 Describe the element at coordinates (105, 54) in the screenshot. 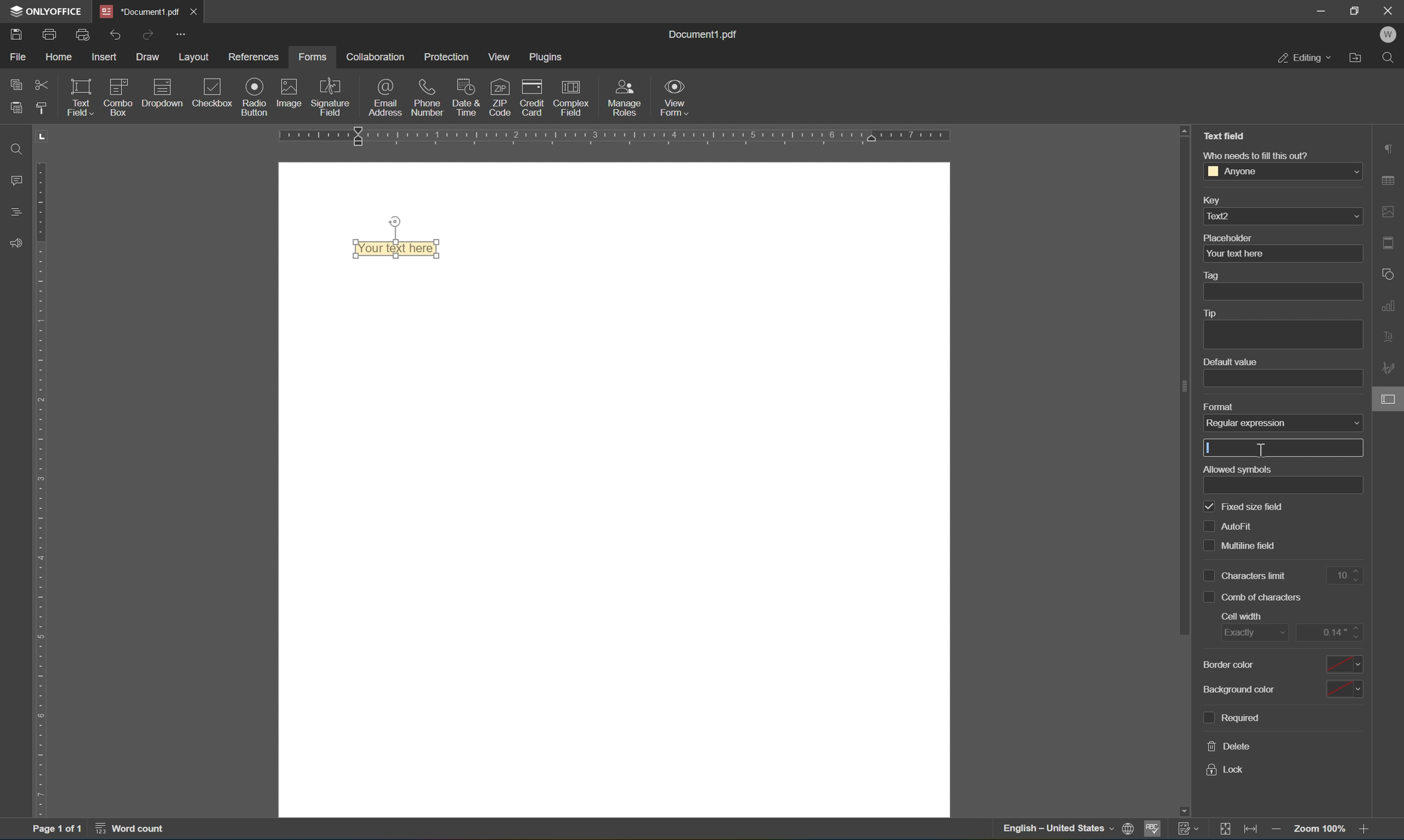

I see `insert` at that location.